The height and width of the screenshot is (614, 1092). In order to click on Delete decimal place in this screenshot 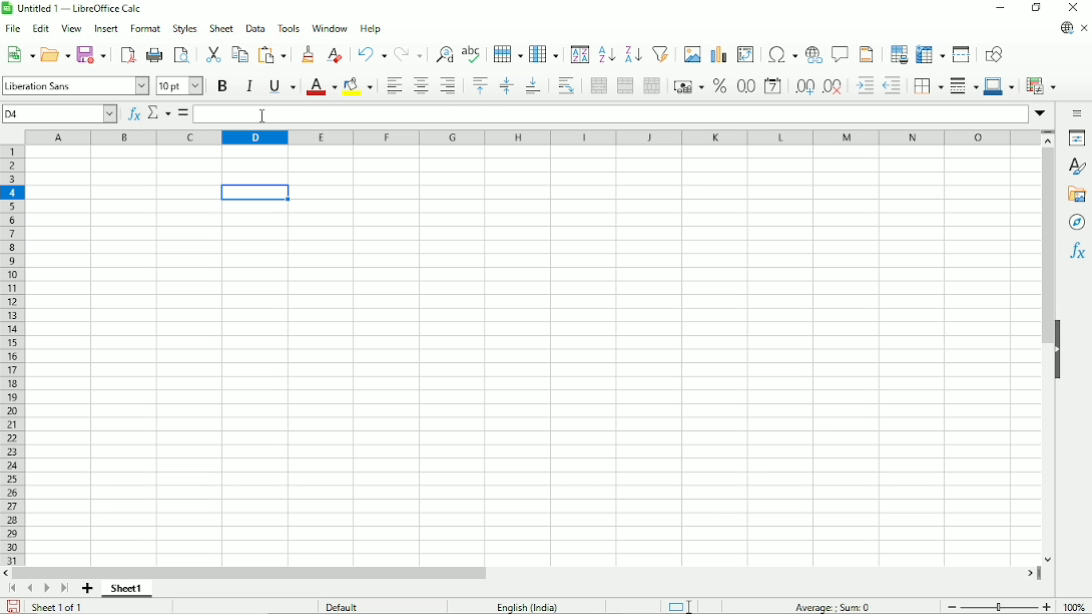, I will do `click(833, 86)`.